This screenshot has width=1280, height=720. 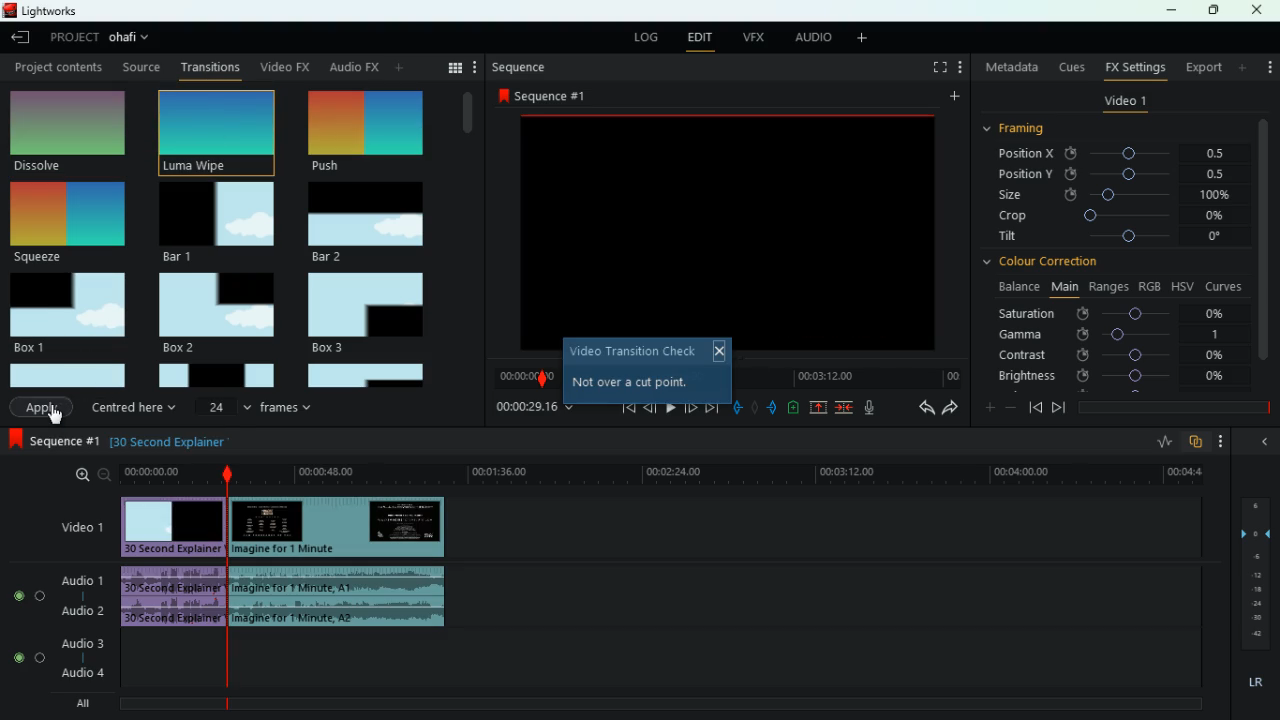 I want to click on box 3, so click(x=367, y=313).